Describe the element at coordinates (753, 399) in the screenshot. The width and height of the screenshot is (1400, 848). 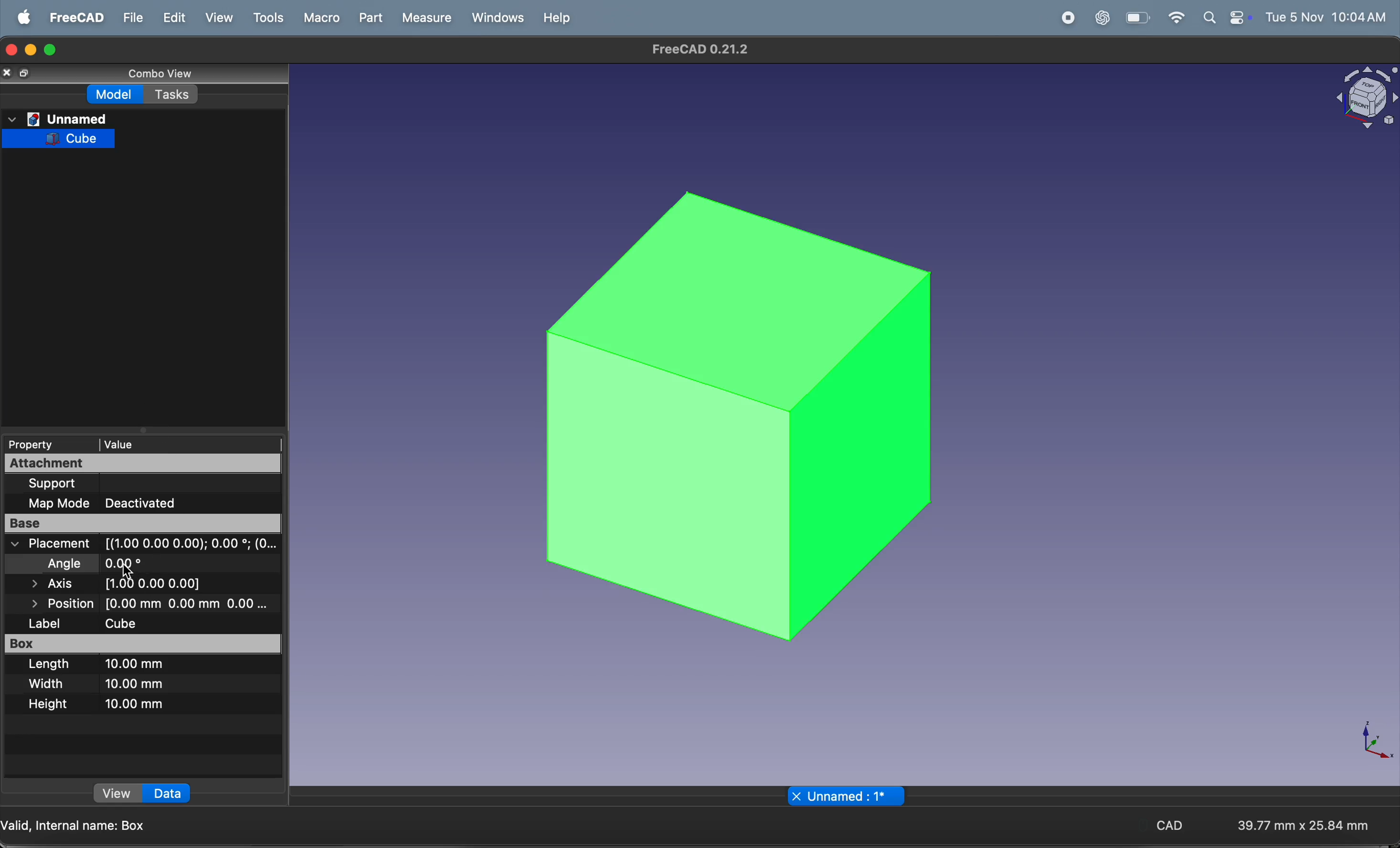
I see `3d cube` at that location.